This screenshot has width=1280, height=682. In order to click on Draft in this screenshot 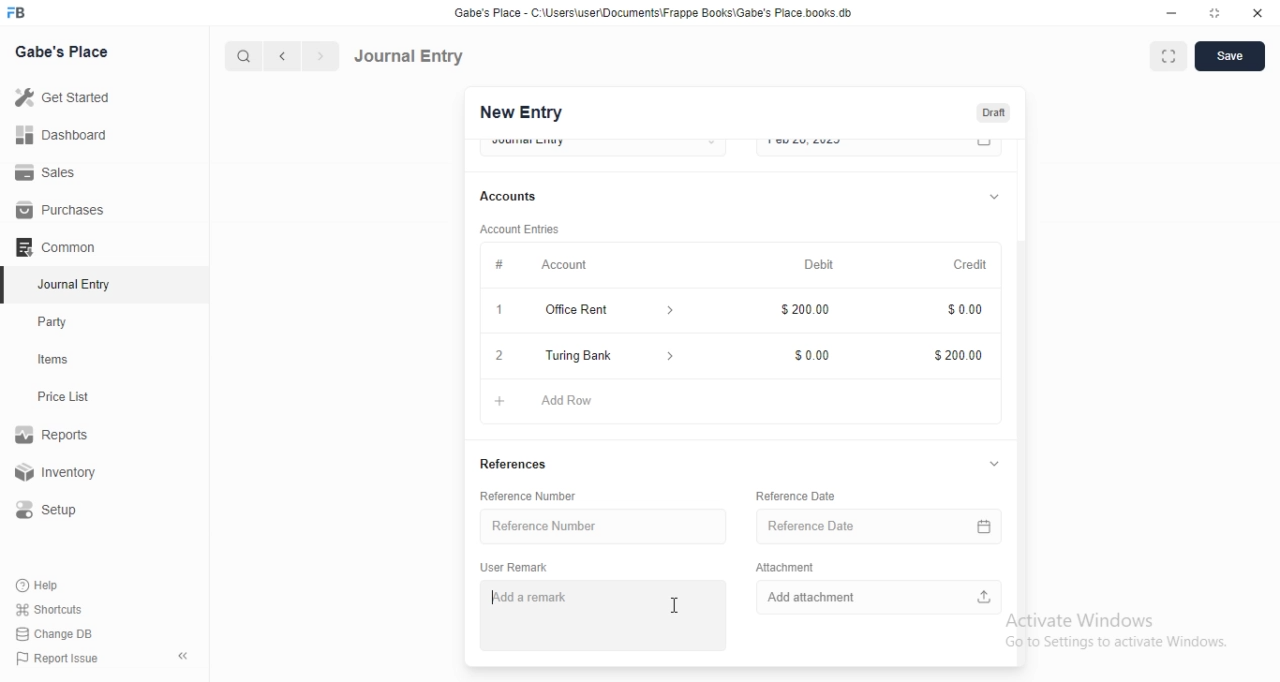, I will do `click(993, 113)`.